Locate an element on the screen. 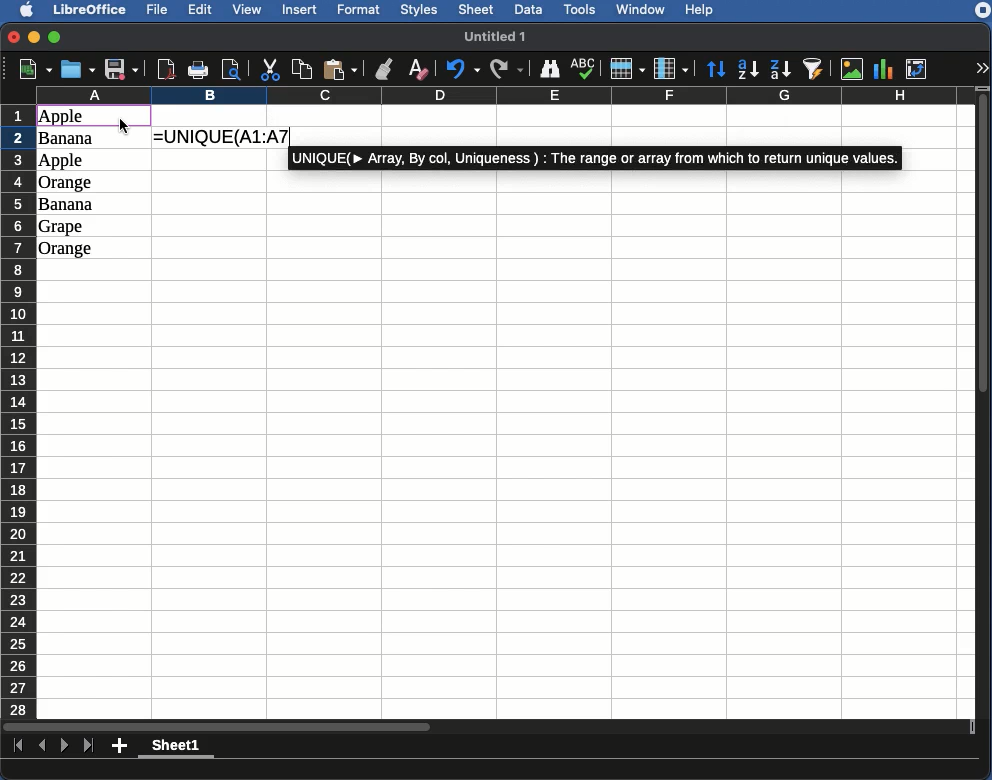 The height and width of the screenshot is (780, 992). Rows is located at coordinates (19, 408).